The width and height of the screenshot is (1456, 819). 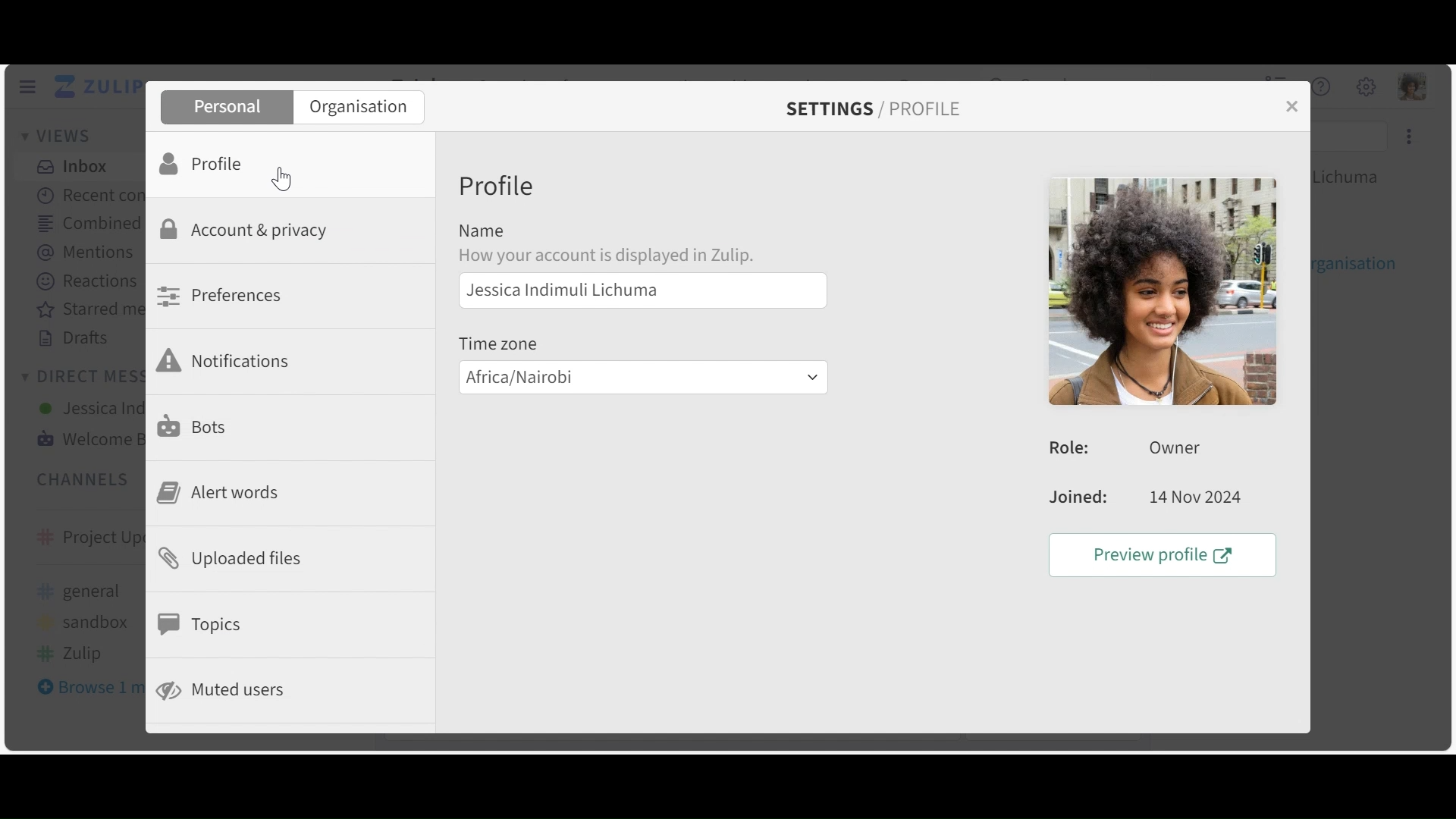 I want to click on Preview Profile, so click(x=1158, y=552).